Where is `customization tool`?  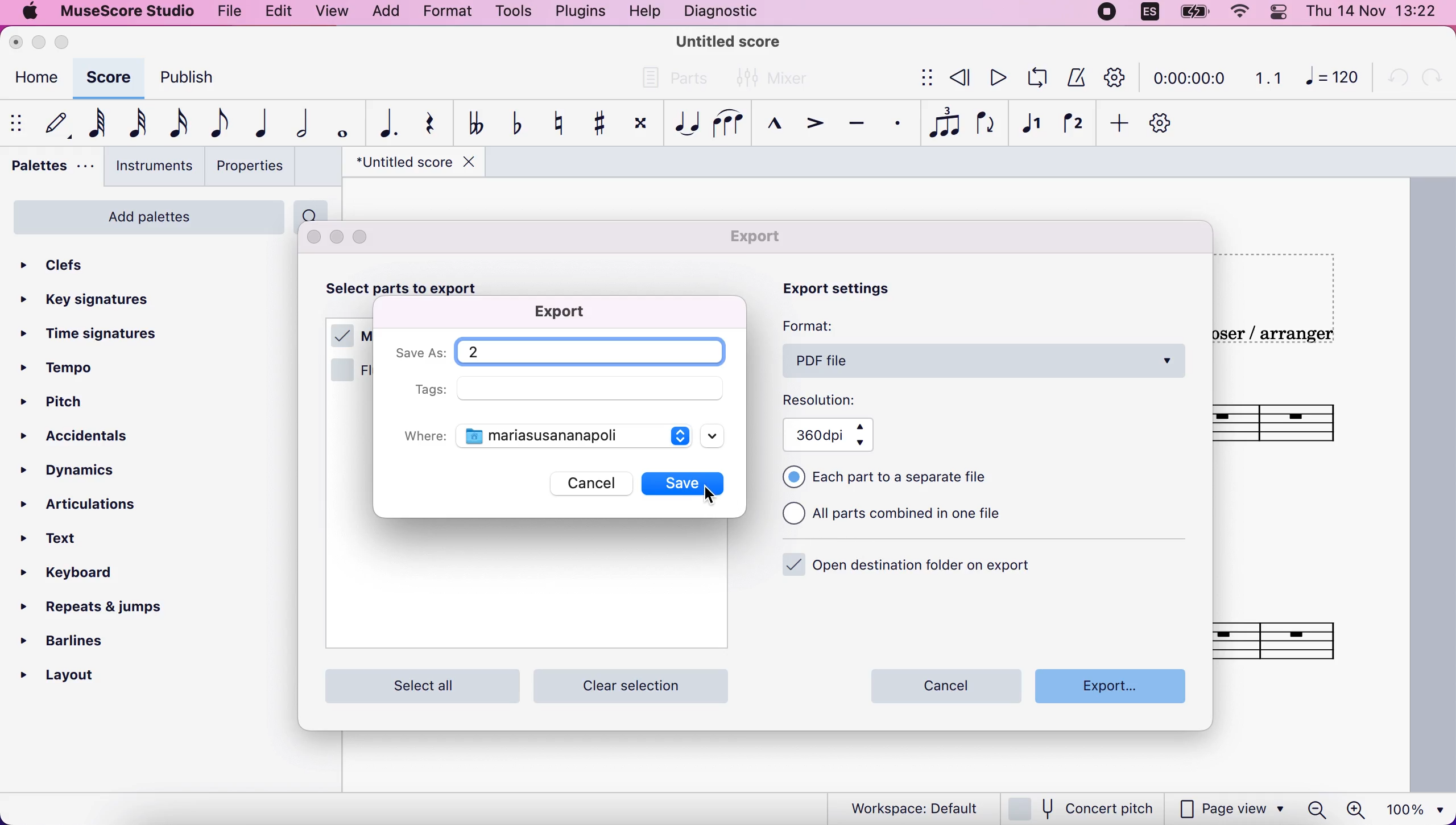 customization tool is located at coordinates (1111, 77).